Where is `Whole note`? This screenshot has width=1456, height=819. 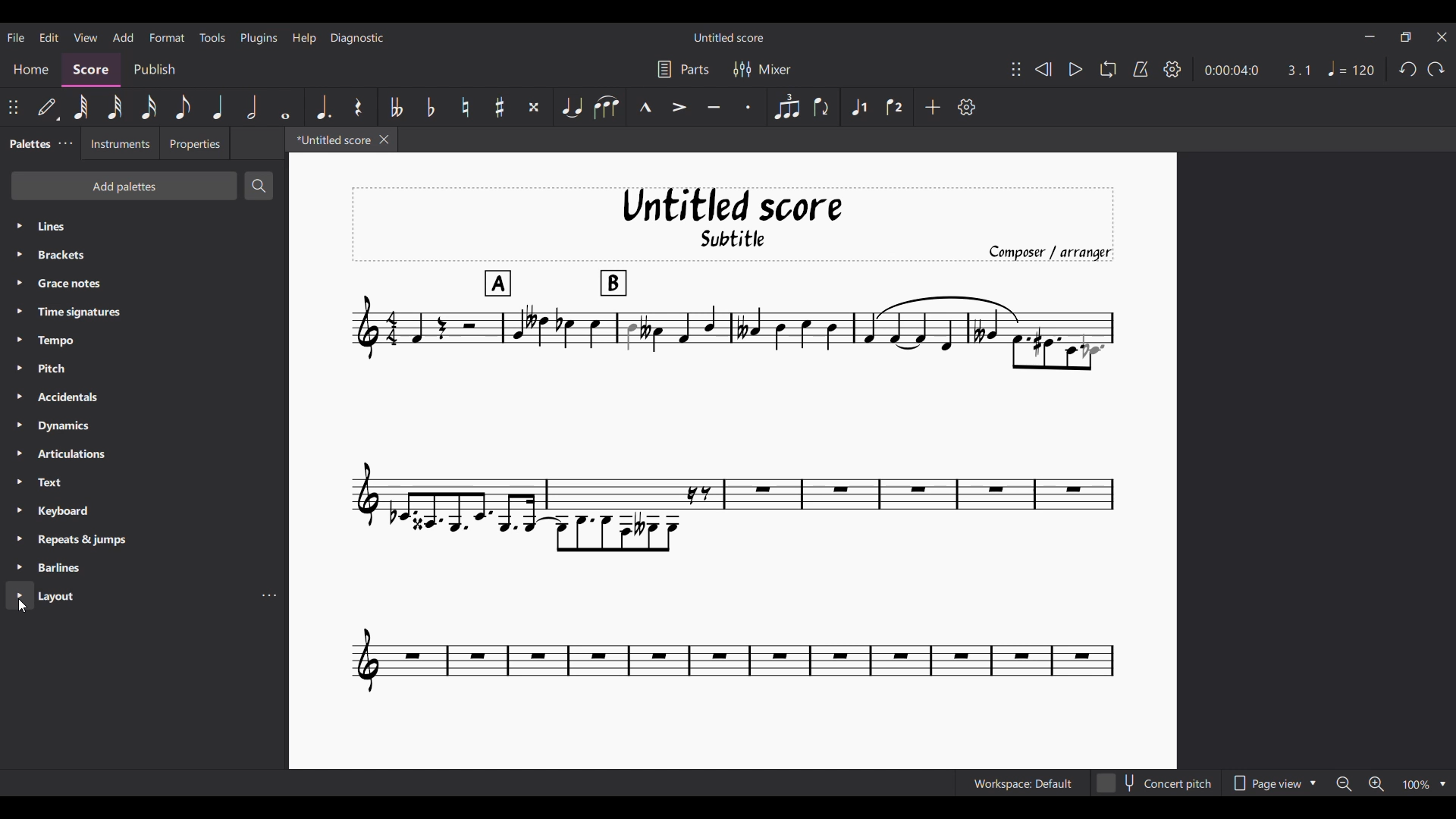
Whole note is located at coordinates (287, 107).